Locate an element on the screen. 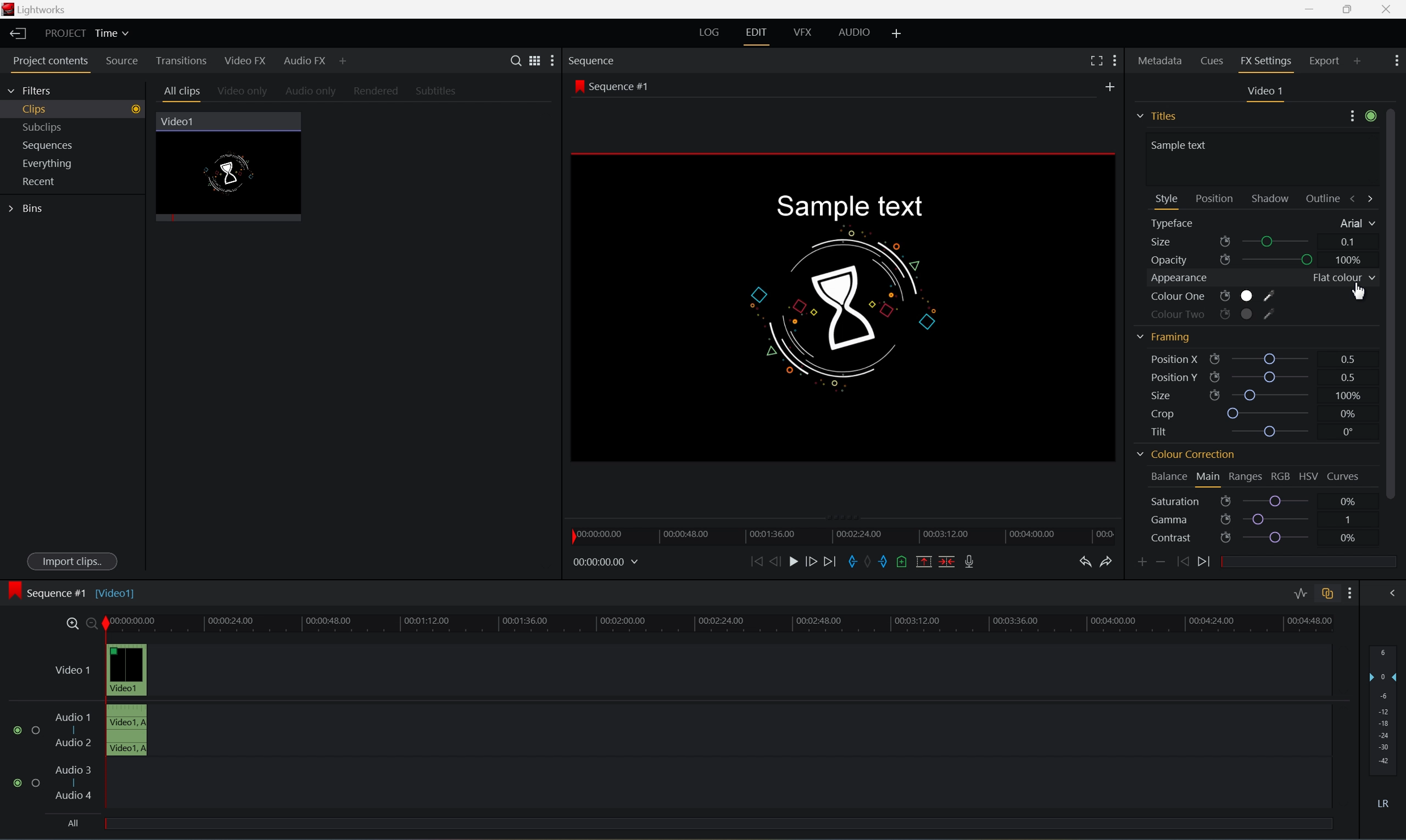  sequences is located at coordinates (48, 145).